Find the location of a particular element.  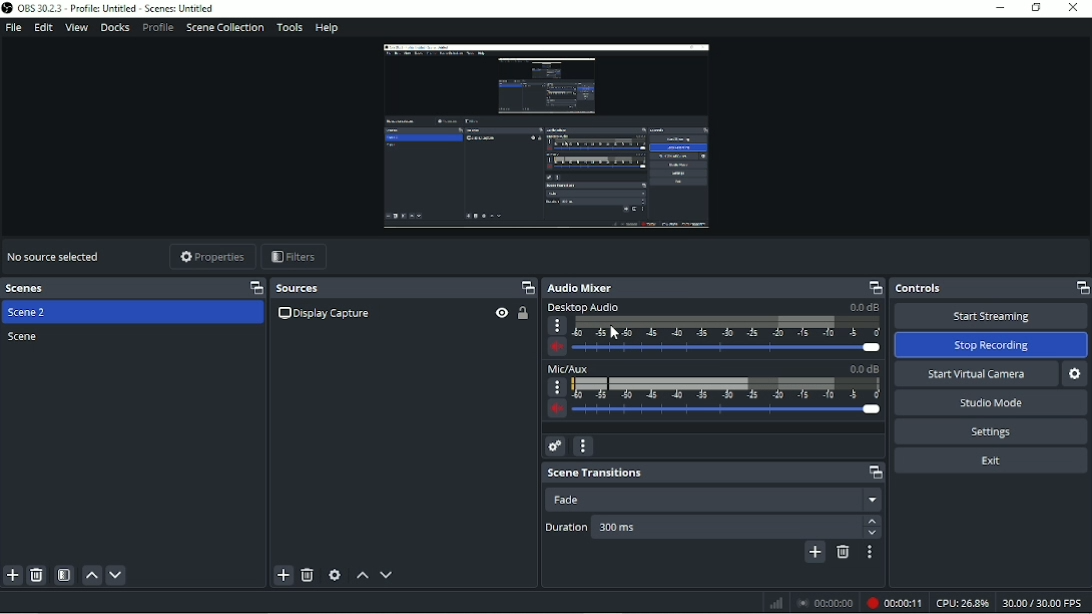

Remove configurable transition is located at coordinates (843, 553).